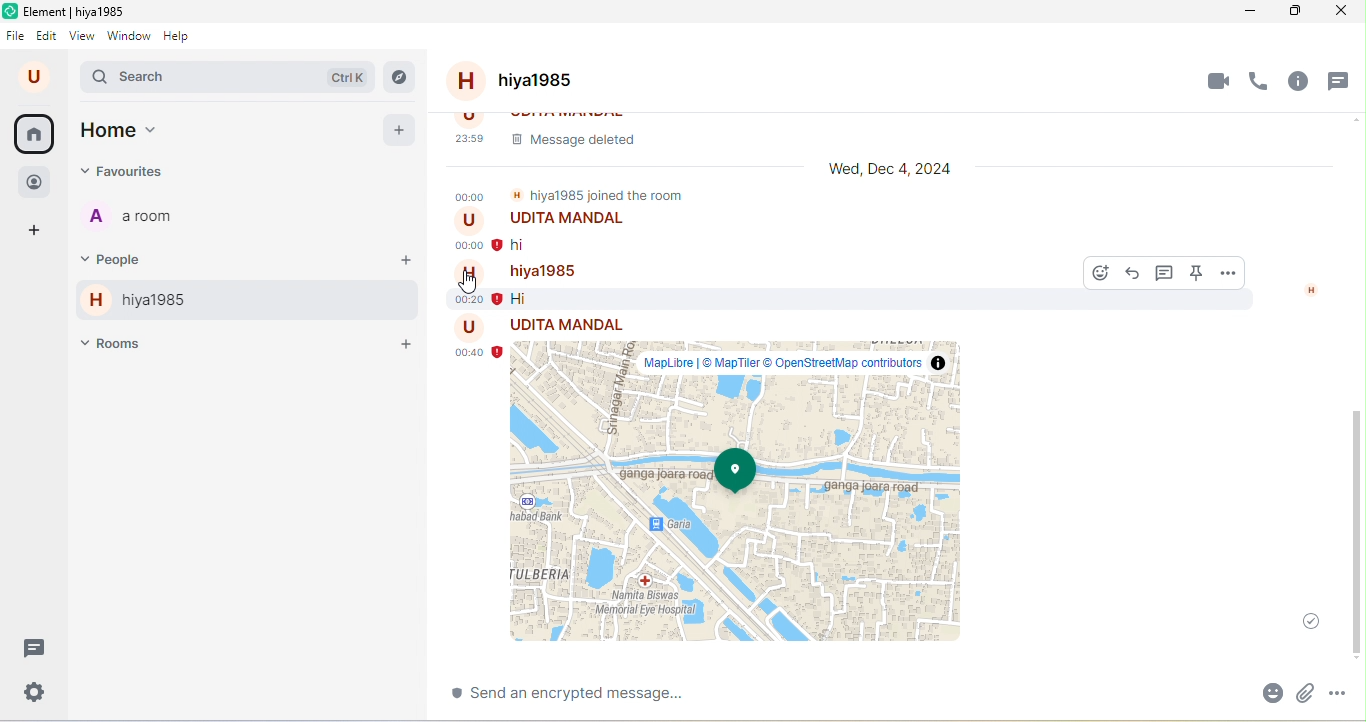  What do you see at coordinates (125, 172) in the screenshot?
I see `favourites` at bounding box center [125, 172].